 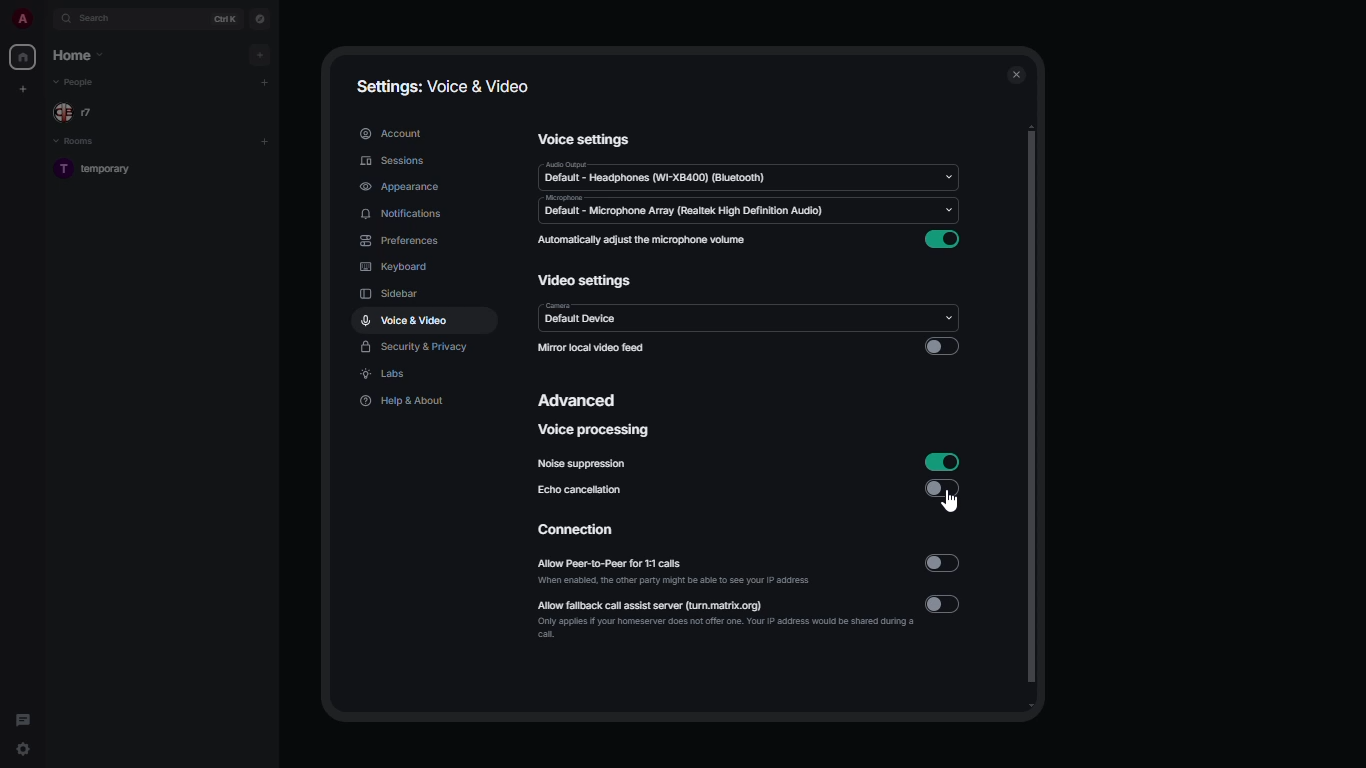 I want to click on mirror local video feed, so click(x=591, y=346).